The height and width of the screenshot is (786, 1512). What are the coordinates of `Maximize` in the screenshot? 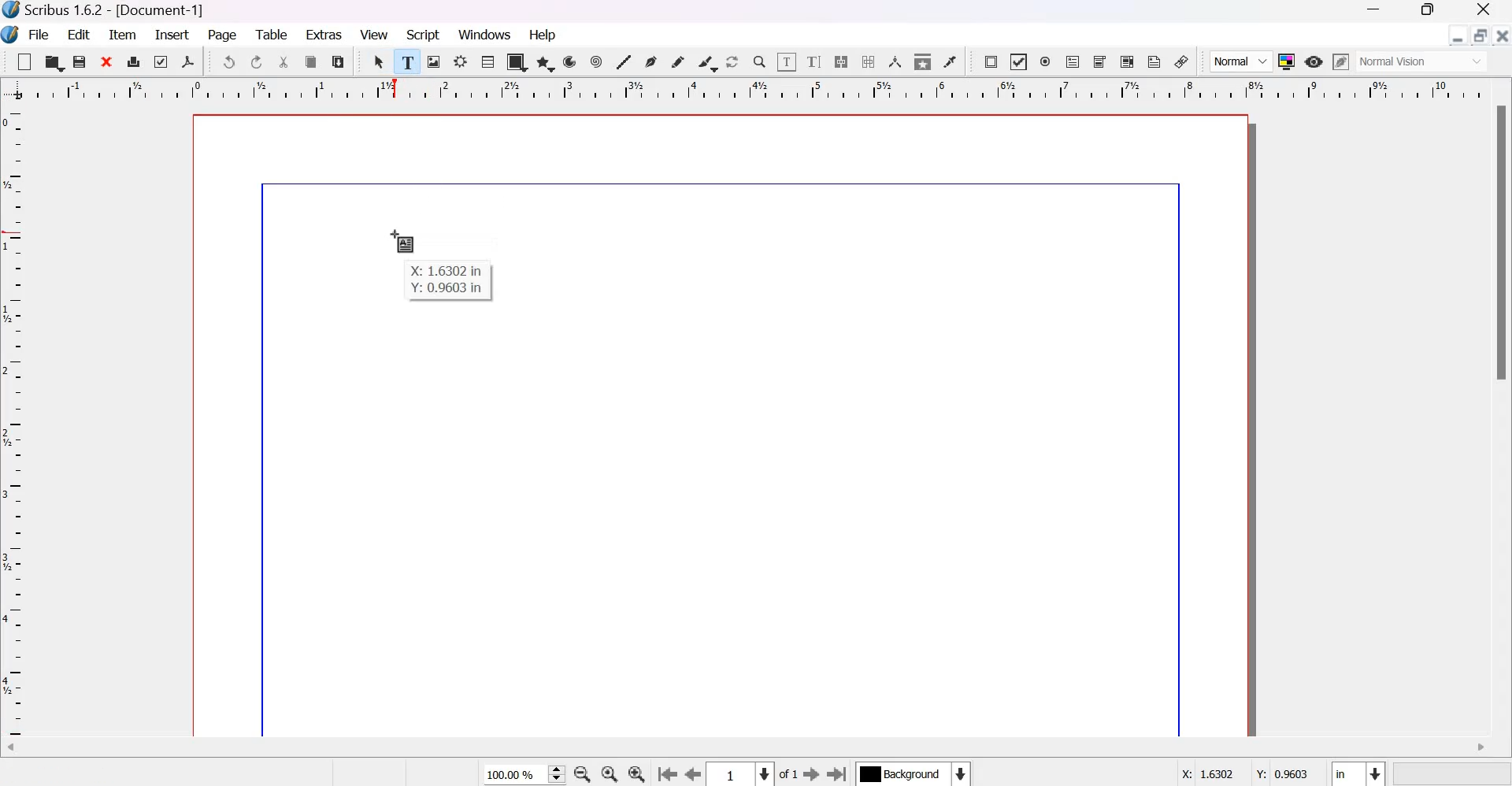 It's located at (1422, 12).